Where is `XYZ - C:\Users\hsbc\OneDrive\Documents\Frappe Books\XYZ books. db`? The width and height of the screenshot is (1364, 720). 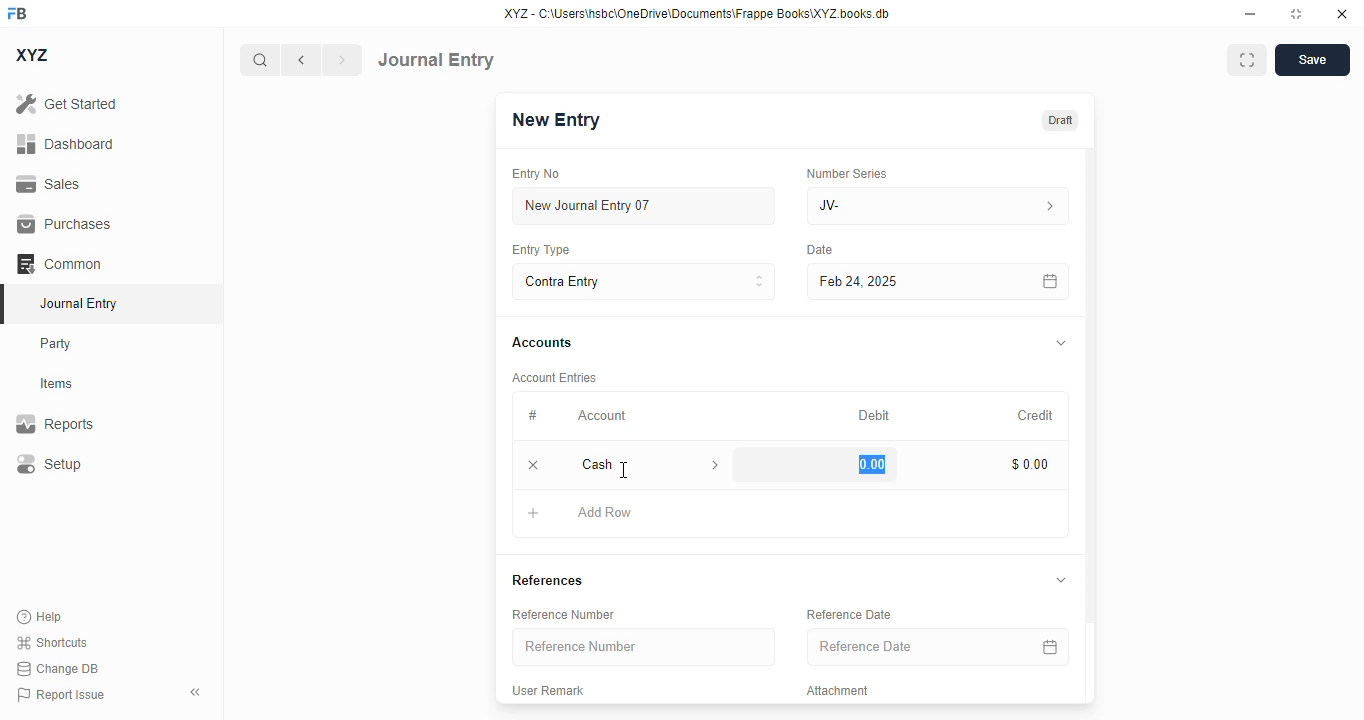 XYZ - C:\Users\hsbc\OneDrive\Documents\Frappe Books\XYZ books. db is located at coordinates (697, 14).